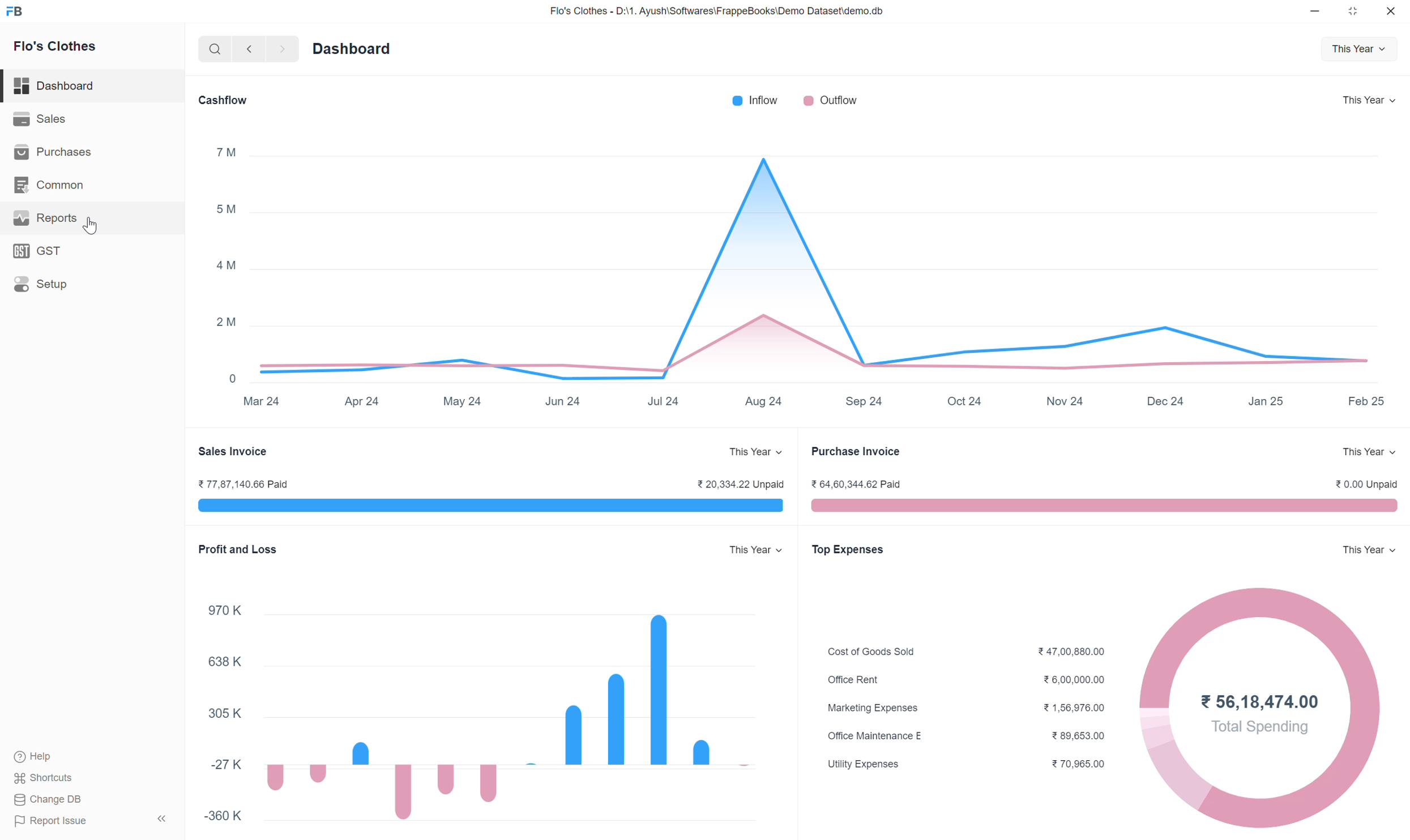 The height and width of the screenshot is (840, 1410). What do you see at coordinates (221, 606) in the screenshot?
I see `970K` at bounding box center [221, 606].